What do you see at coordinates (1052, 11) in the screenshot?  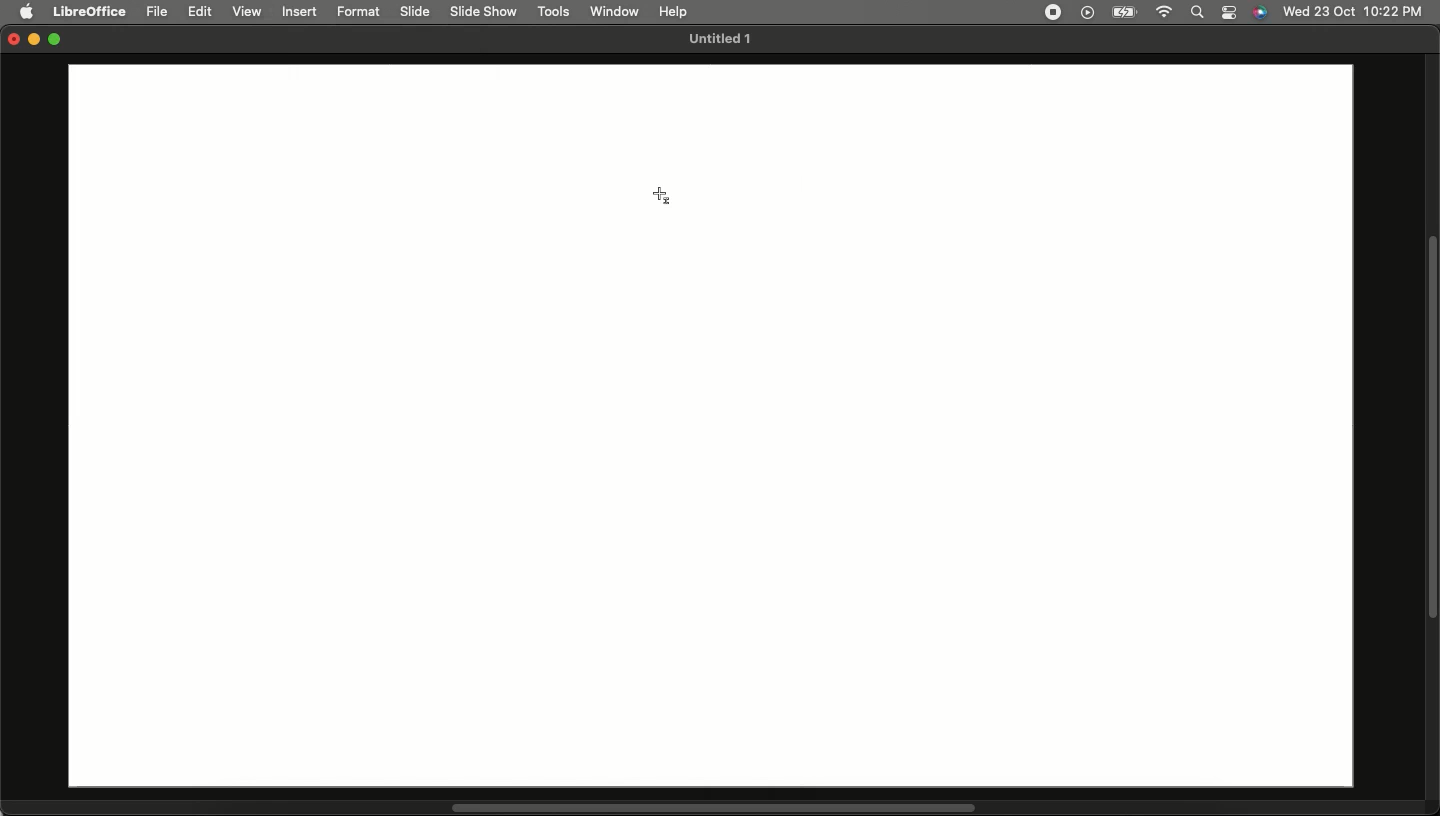 I see `Recording` at bounding box center [1052, 11].